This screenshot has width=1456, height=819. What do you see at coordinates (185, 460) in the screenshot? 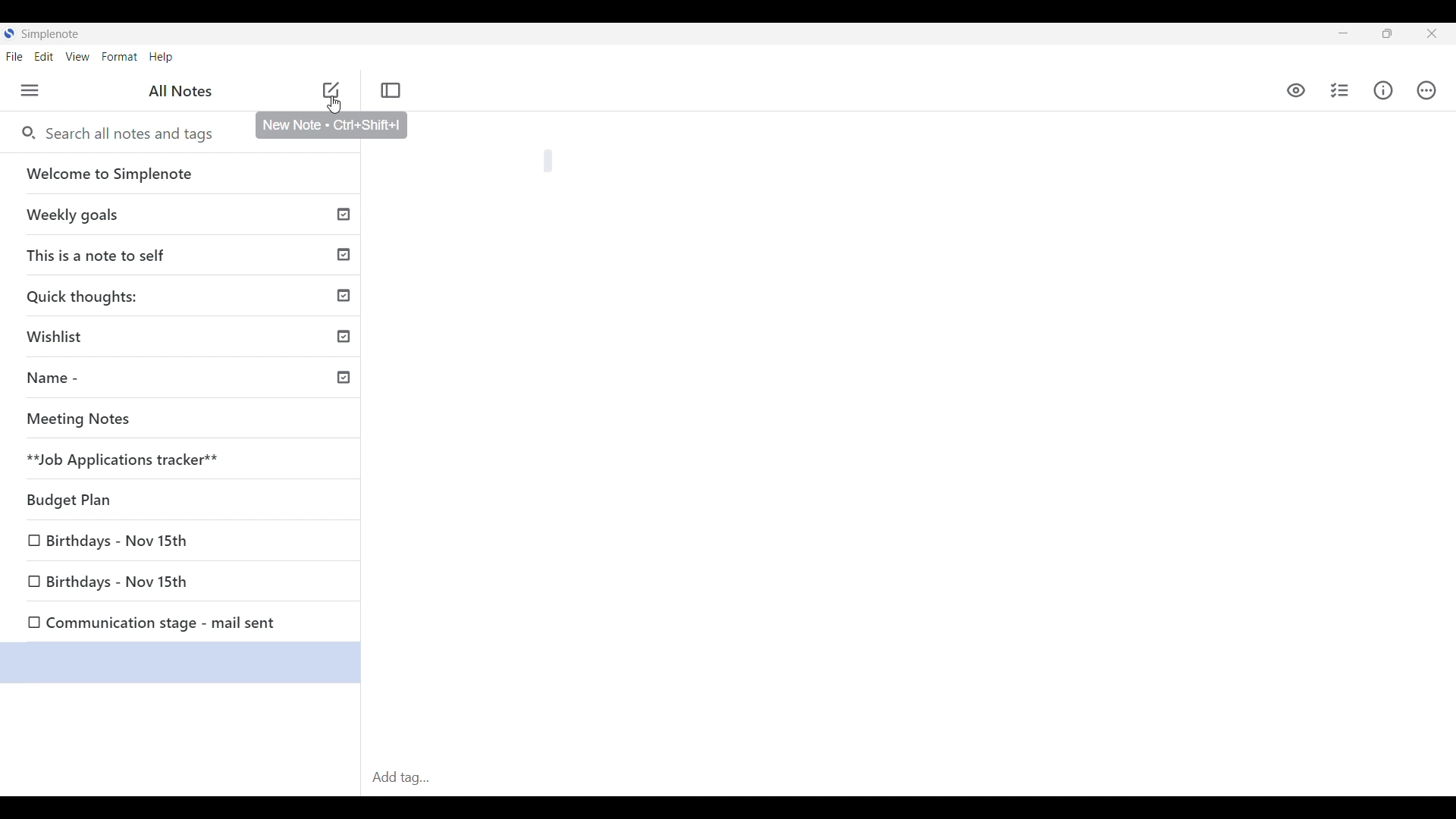
I see `**Job Applications tracker**` at bounding box center [185, 460].